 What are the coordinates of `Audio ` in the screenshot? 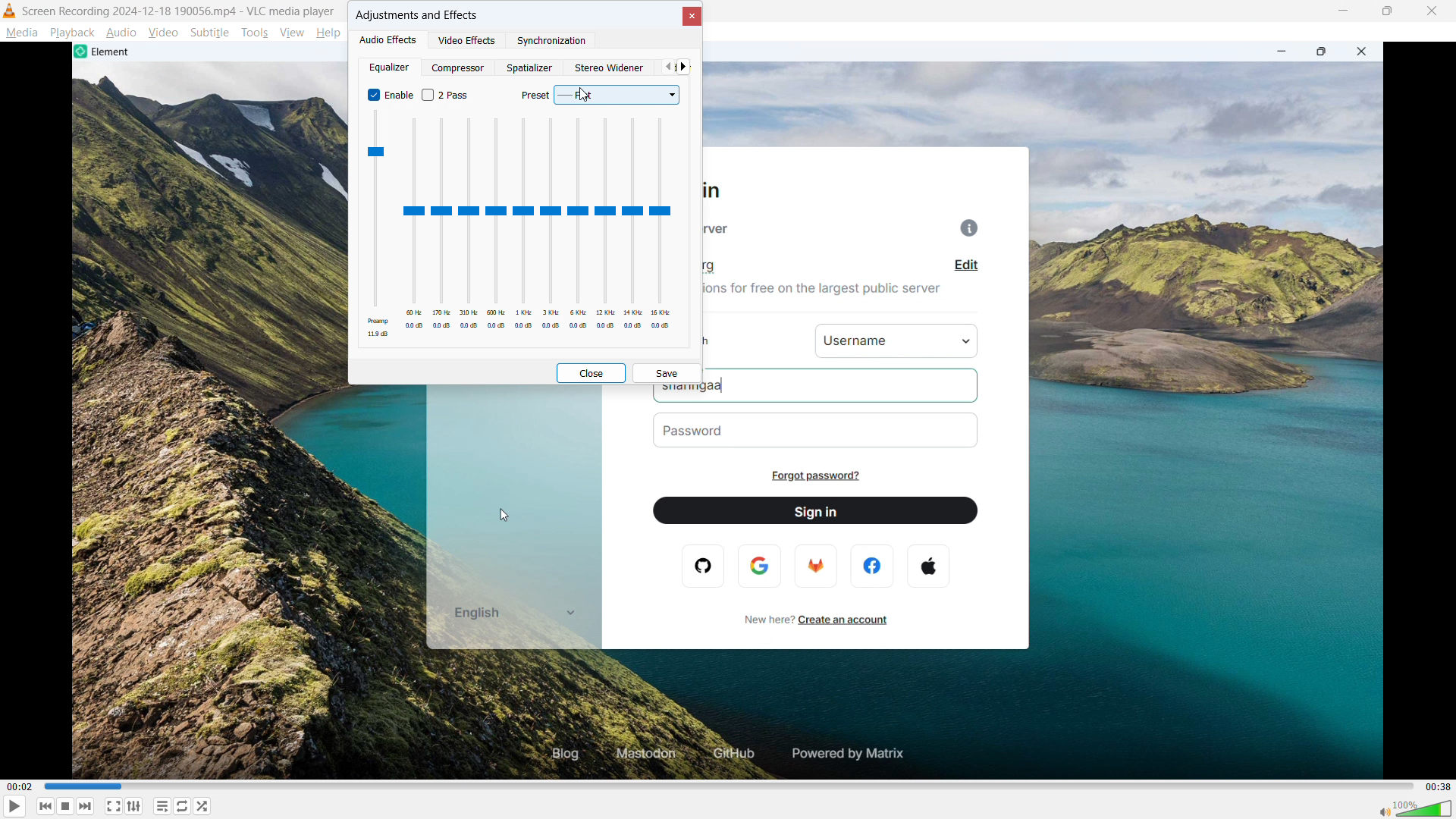 It's located at (122, 32).